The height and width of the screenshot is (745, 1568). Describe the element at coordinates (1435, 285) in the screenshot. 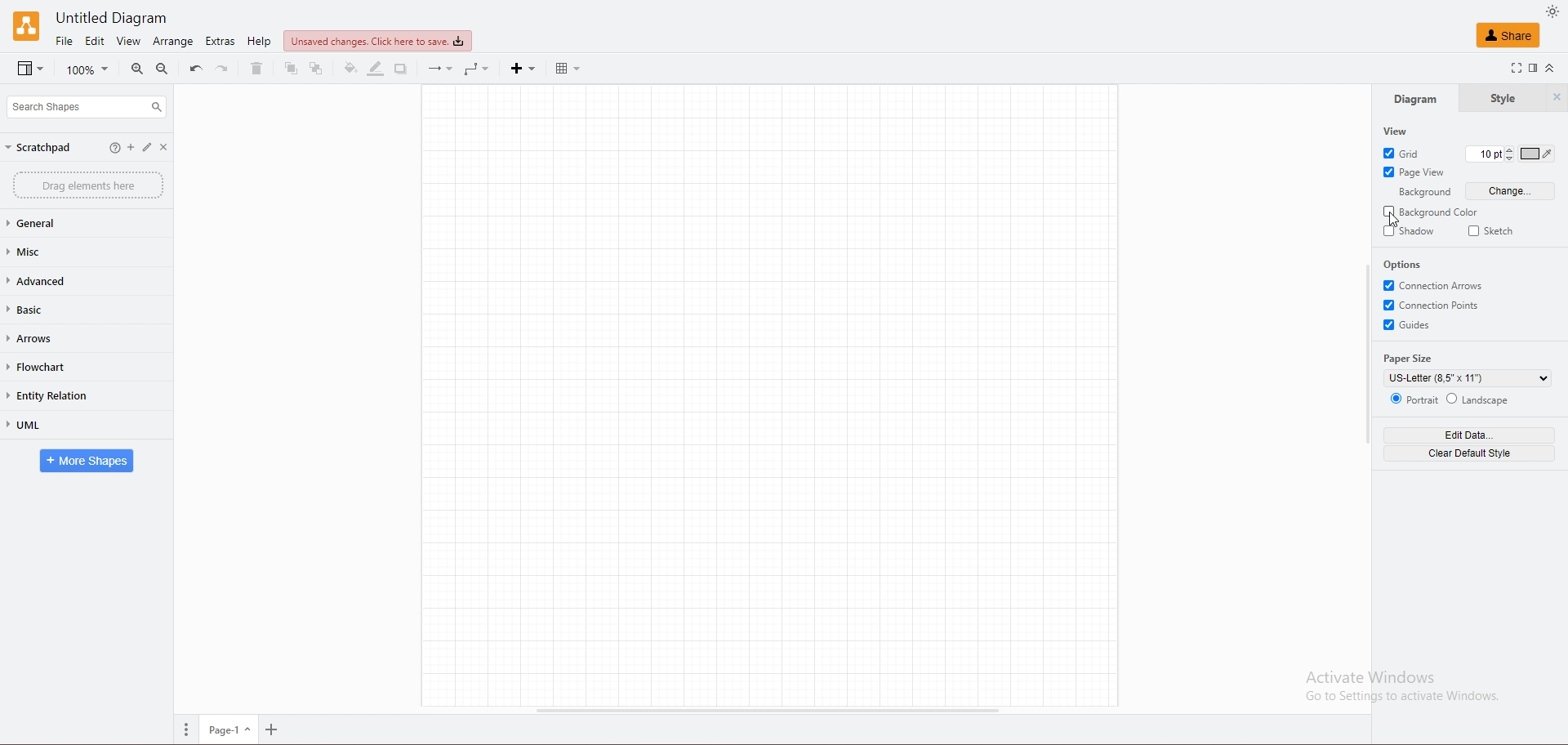

I see `connection arrows` at that location.